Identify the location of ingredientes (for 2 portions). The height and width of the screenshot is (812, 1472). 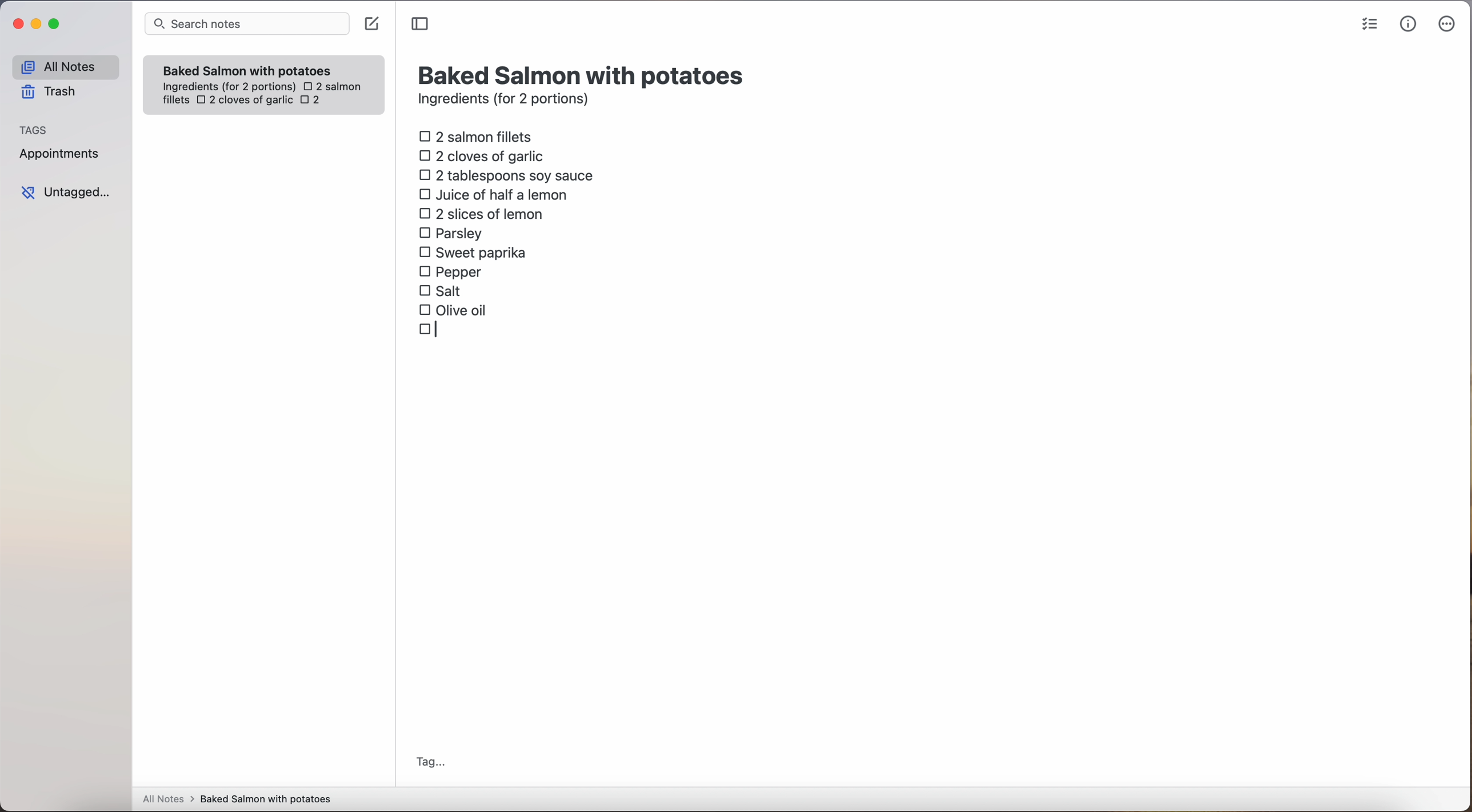
(227, 87).